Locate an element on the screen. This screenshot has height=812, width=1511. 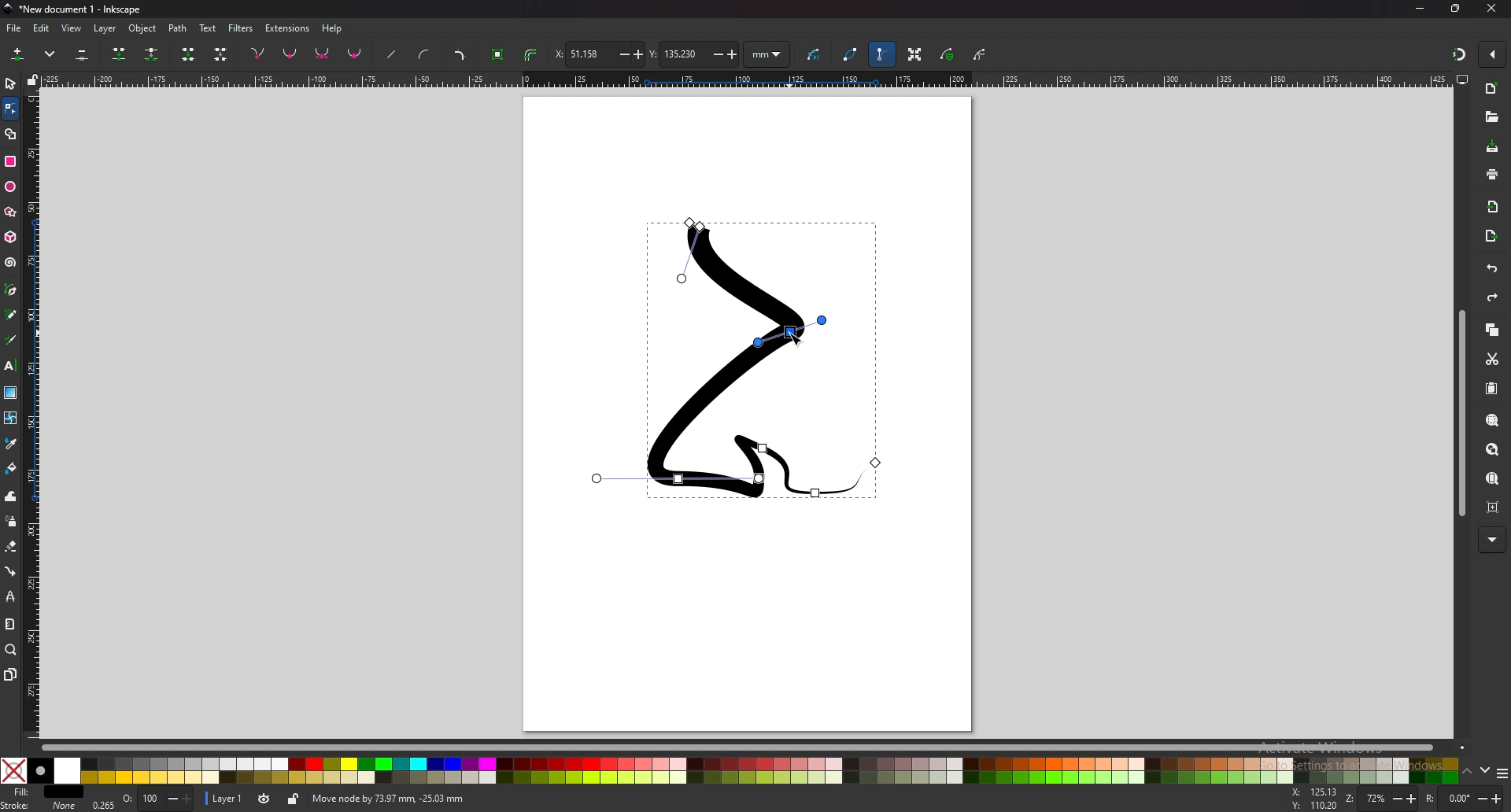
path is located at coordinates (179, 28).